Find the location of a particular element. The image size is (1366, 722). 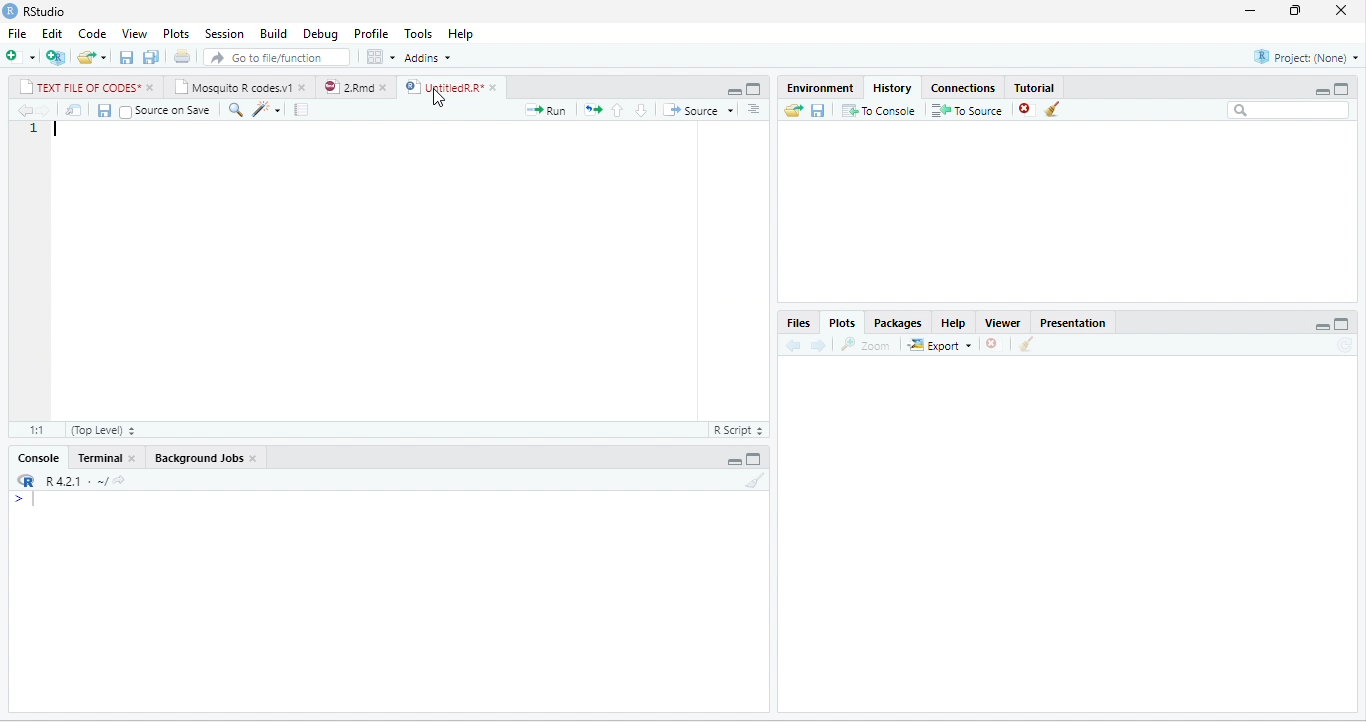

clear is located at coordinates (1053, 109).